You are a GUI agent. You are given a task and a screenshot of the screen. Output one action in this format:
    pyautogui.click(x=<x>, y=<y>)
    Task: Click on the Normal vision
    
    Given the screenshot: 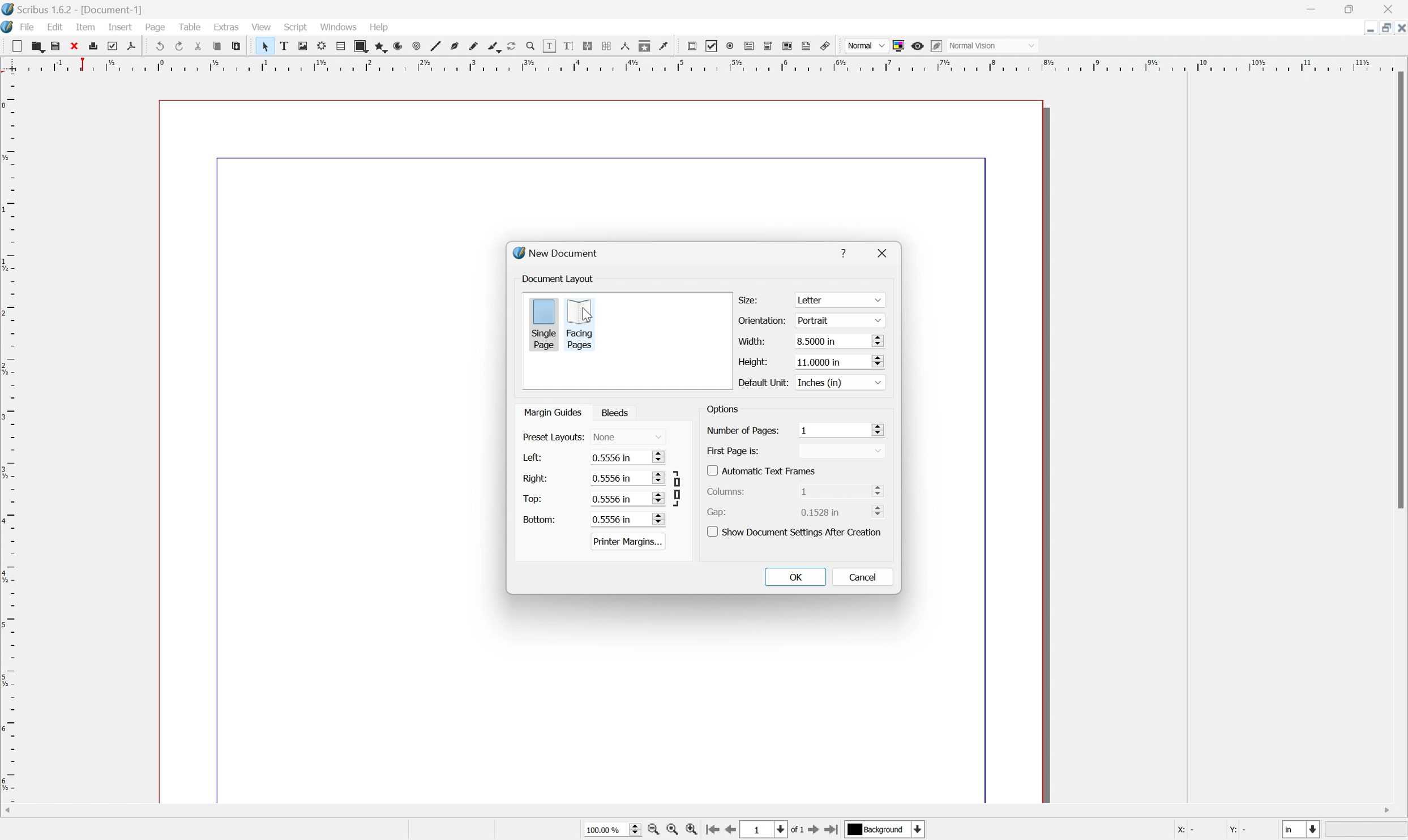 What is the action you would take?
    pyautogui.click(x=997, y=46)
    